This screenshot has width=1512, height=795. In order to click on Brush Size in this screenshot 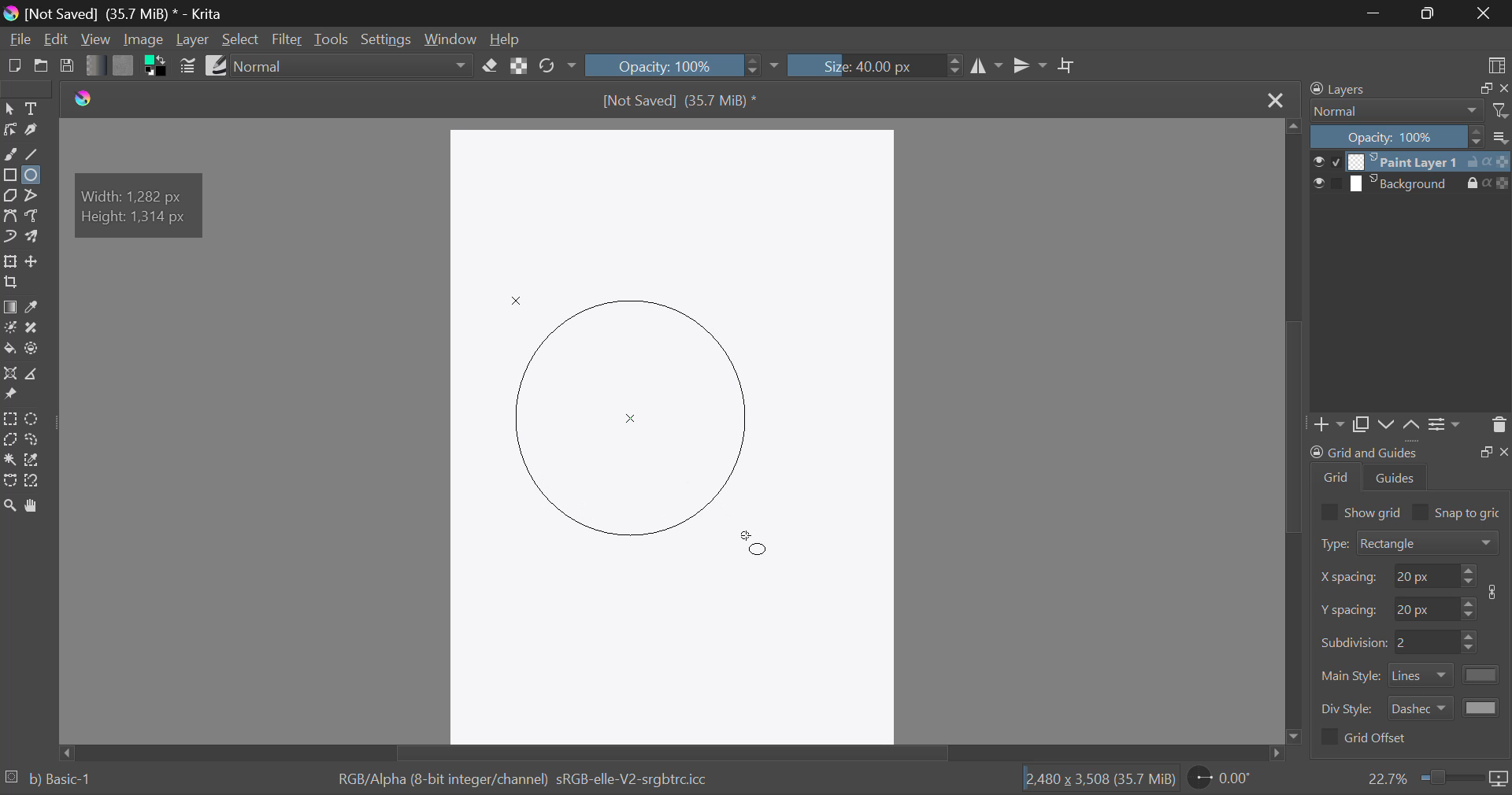, I will do `click(873, 65)`.